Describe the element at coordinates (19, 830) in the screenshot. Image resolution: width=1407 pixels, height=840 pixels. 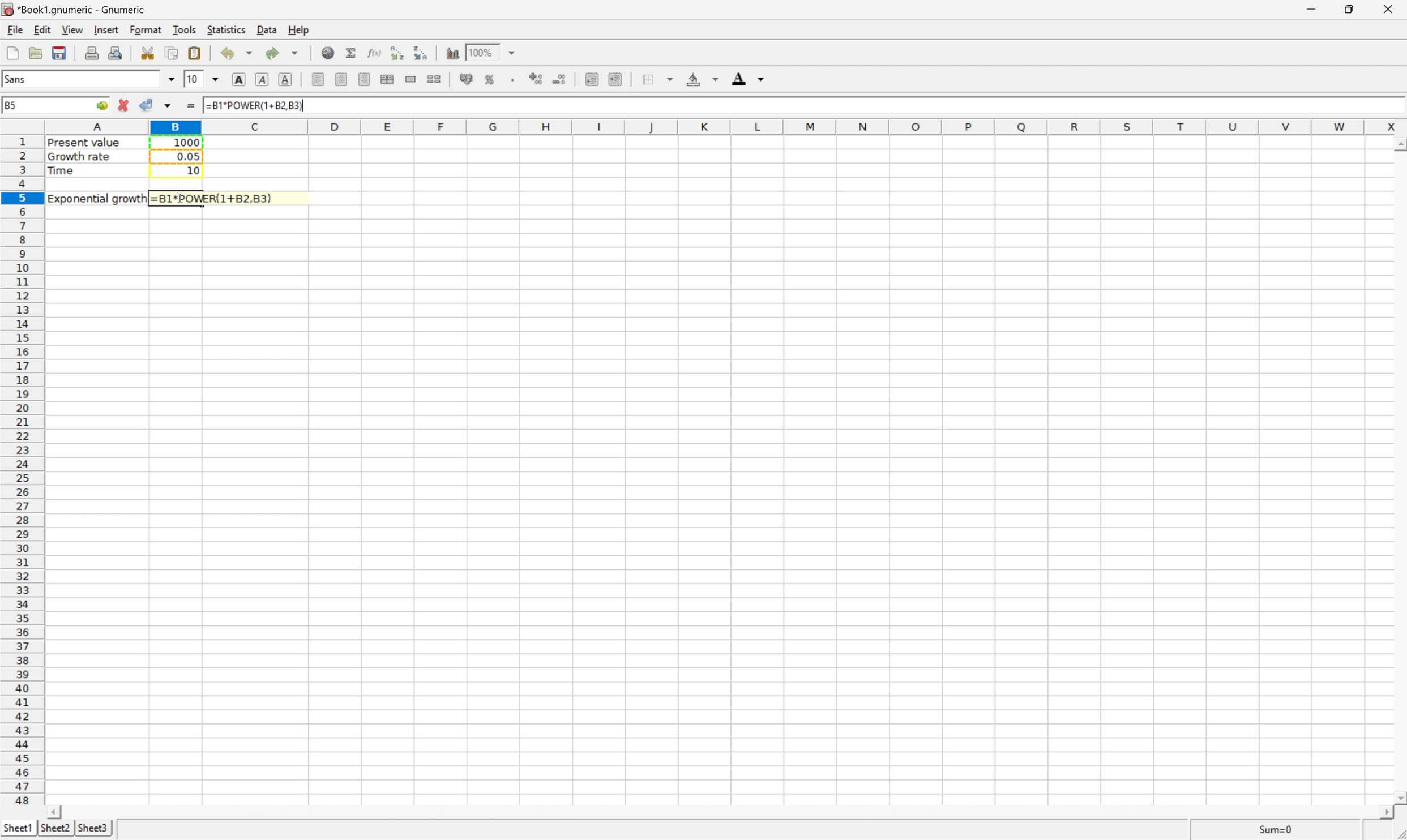
I see `Sheet1` at that location.